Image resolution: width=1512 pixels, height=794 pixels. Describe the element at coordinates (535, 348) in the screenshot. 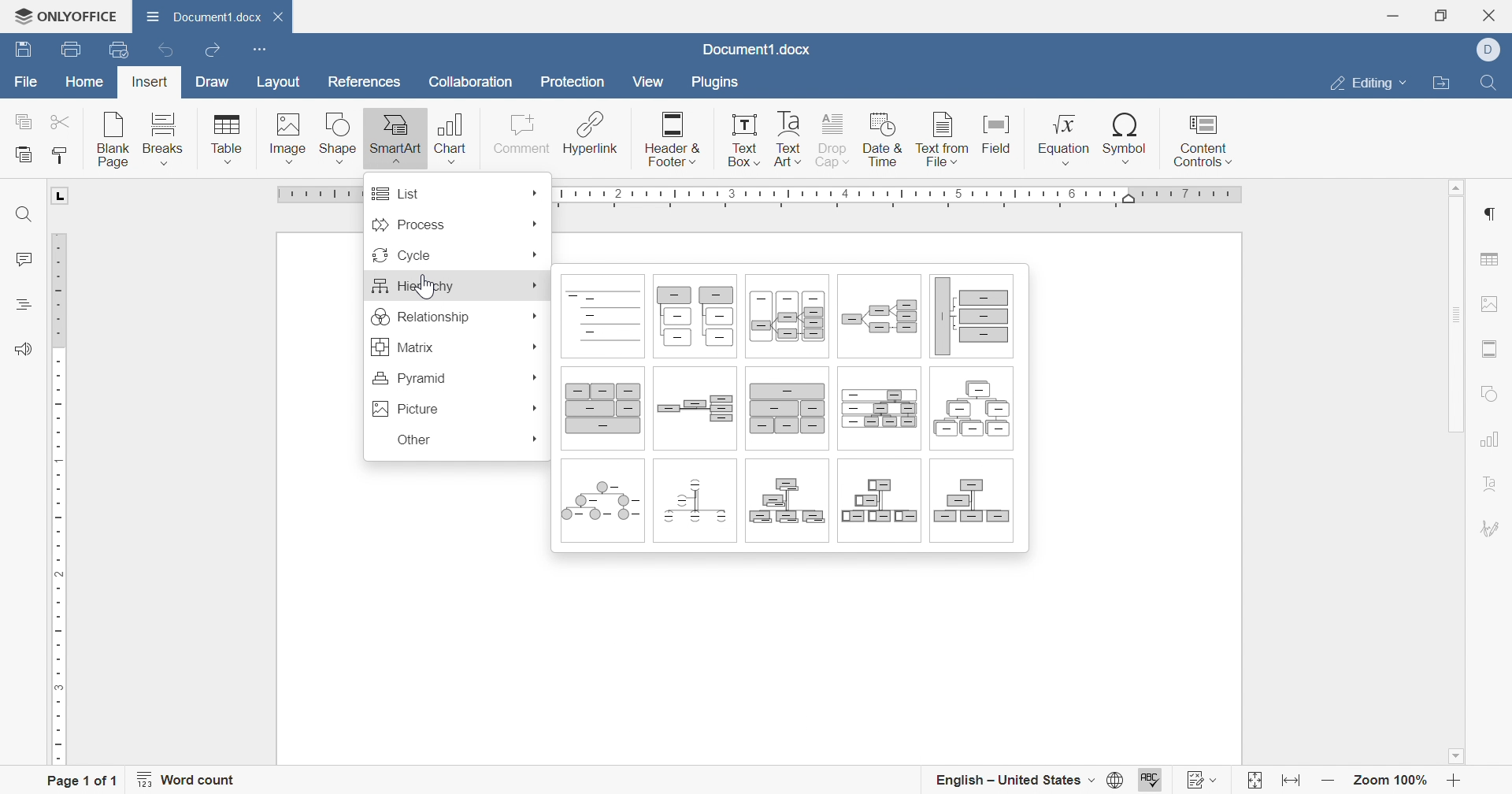

I see `More` at that location.